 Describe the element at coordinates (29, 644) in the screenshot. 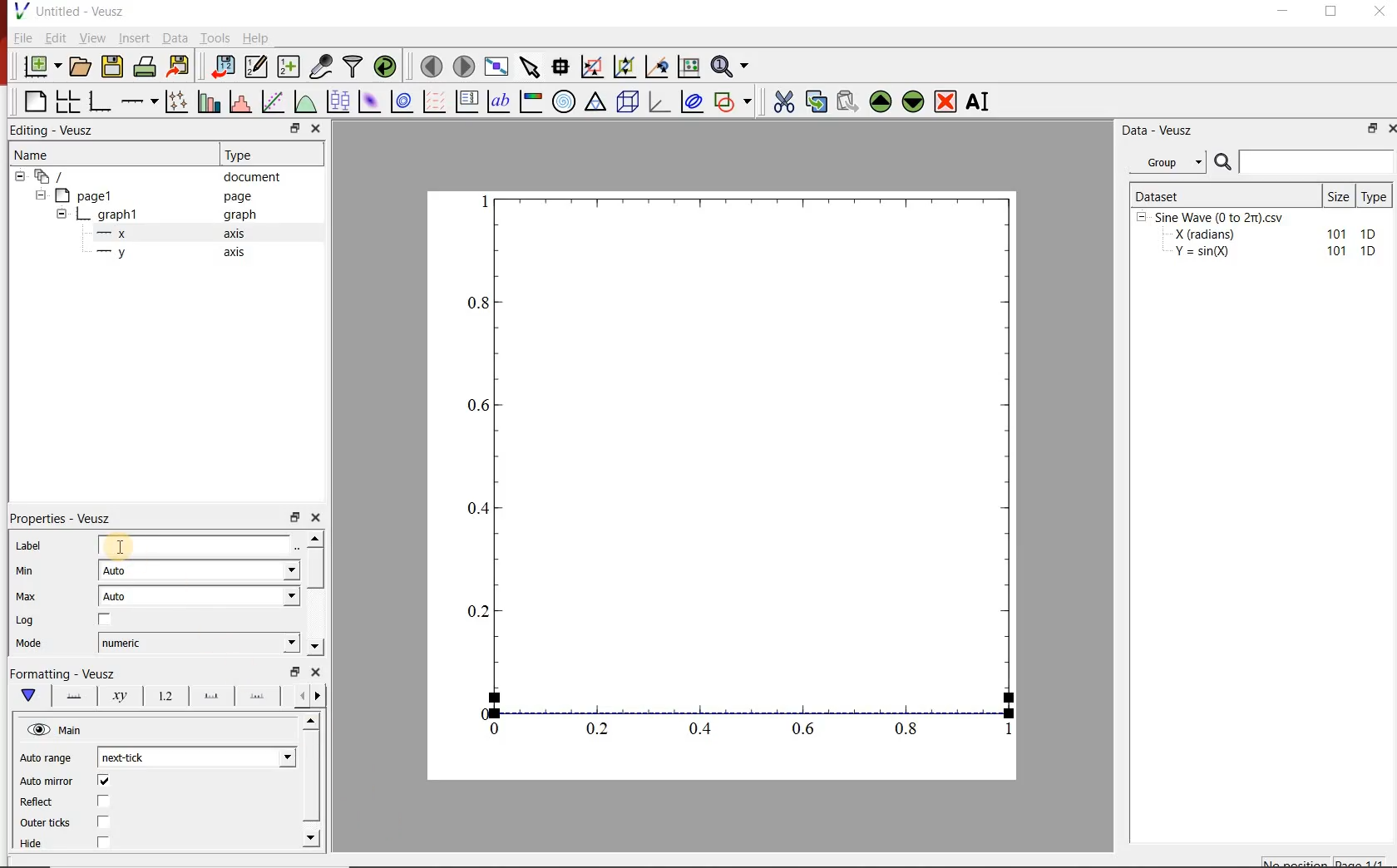

I see `Mode` at that location.